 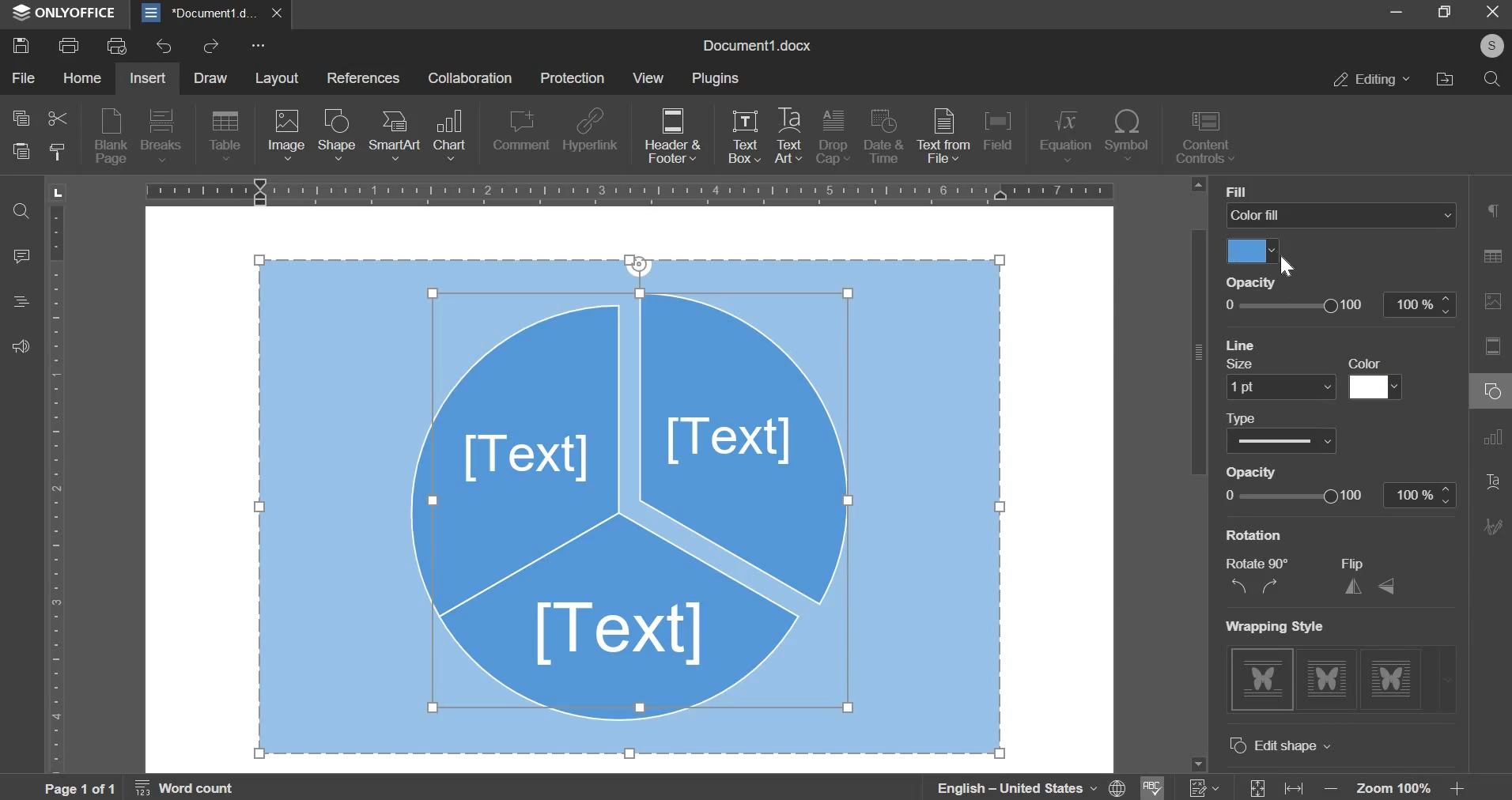 What do you see at coordinates (1297, 626) in the screenshot?
I see `` at bounding box center [1297, 626].